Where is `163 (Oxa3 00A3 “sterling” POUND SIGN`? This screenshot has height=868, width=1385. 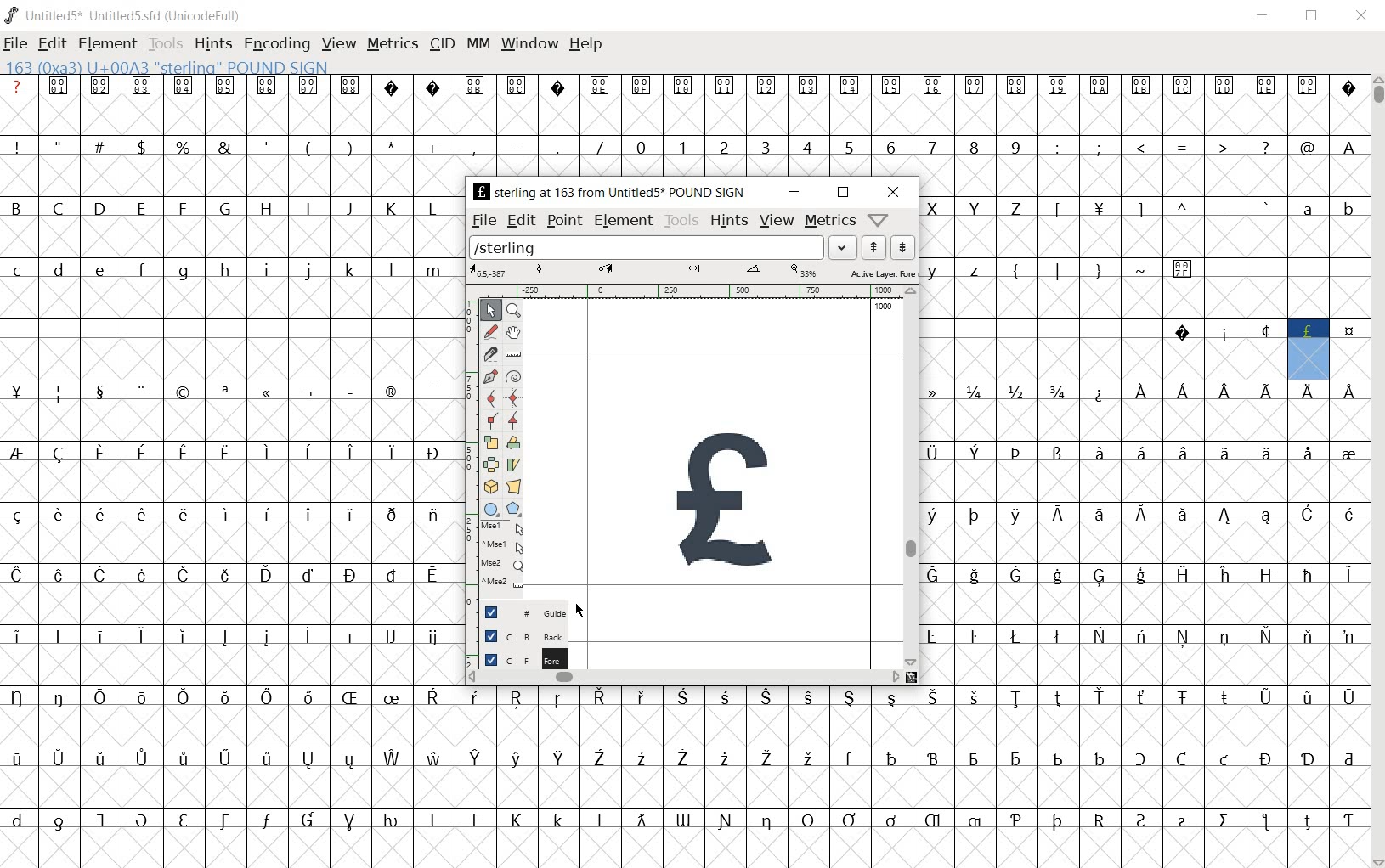
163 (Oxa3 00A3 “sterling” POUND SIGN is located at coordinates (173, 65).